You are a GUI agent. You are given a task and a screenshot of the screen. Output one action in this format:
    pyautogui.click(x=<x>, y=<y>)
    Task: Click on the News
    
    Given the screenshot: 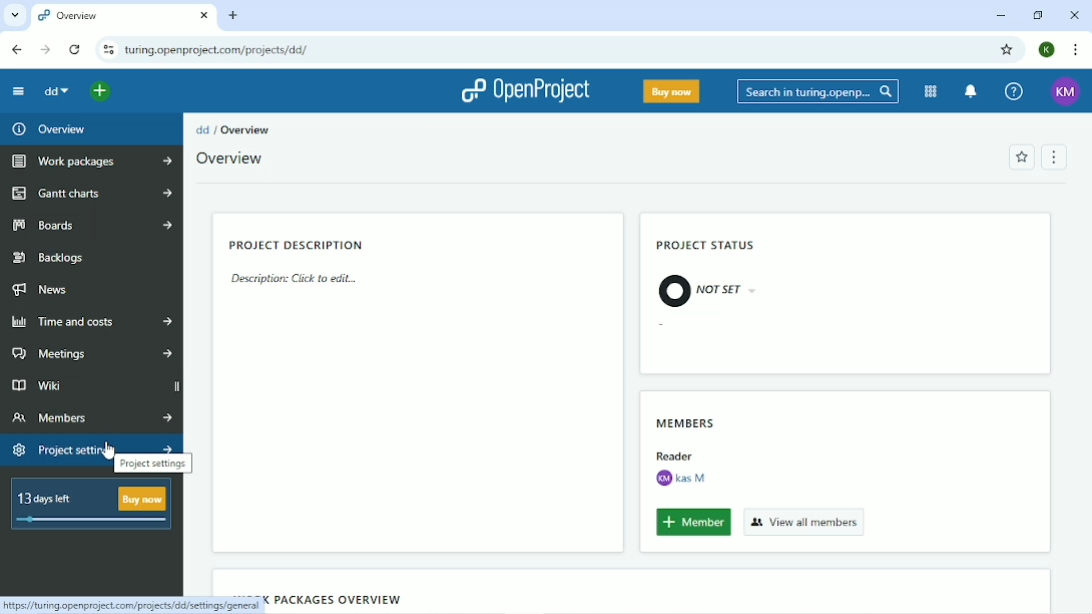 What is the action you would take?
    pyautogui.click(x=41, y=289)
    